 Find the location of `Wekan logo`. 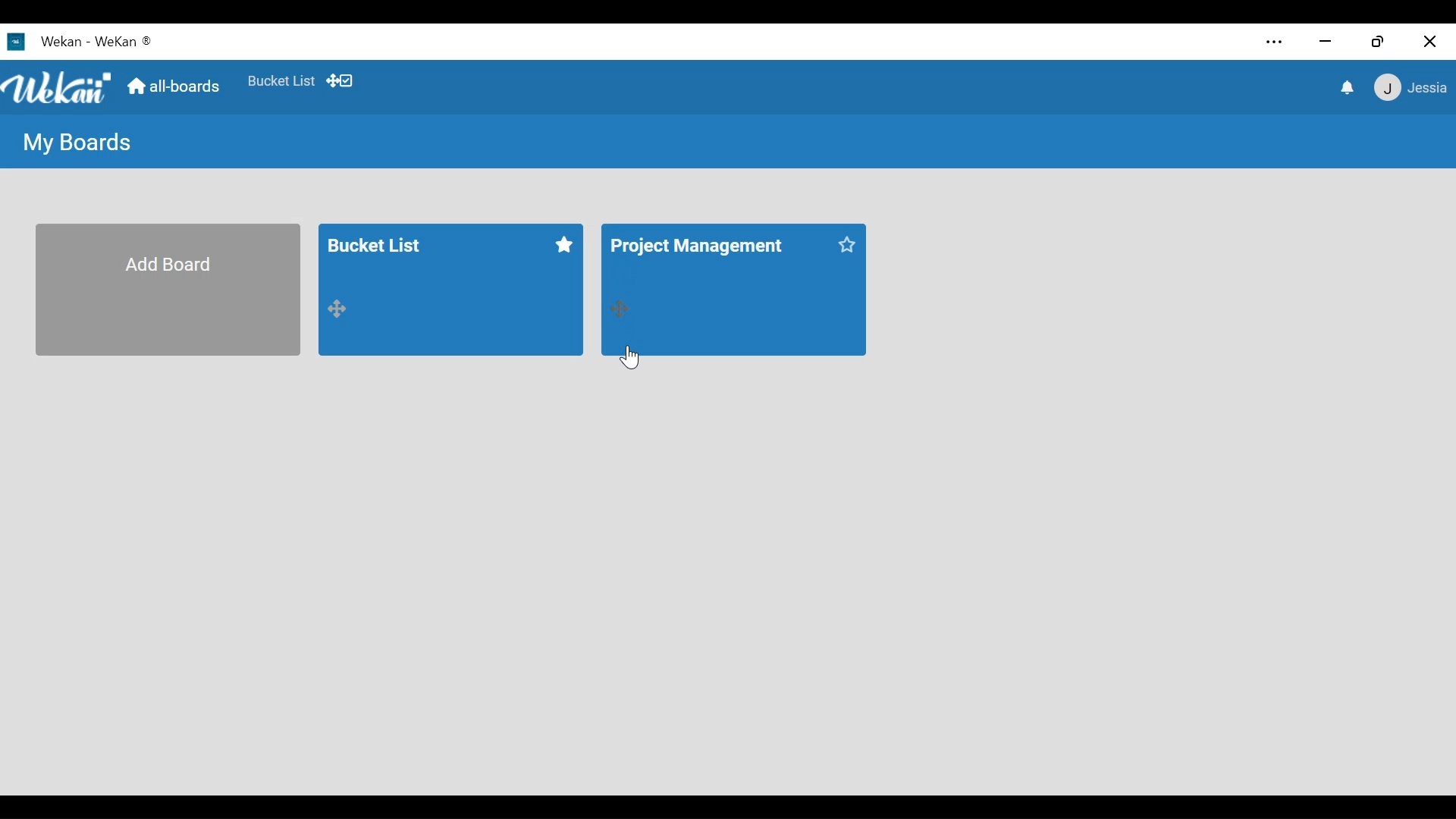

Wekan logo is located at coordinates (59, 89).